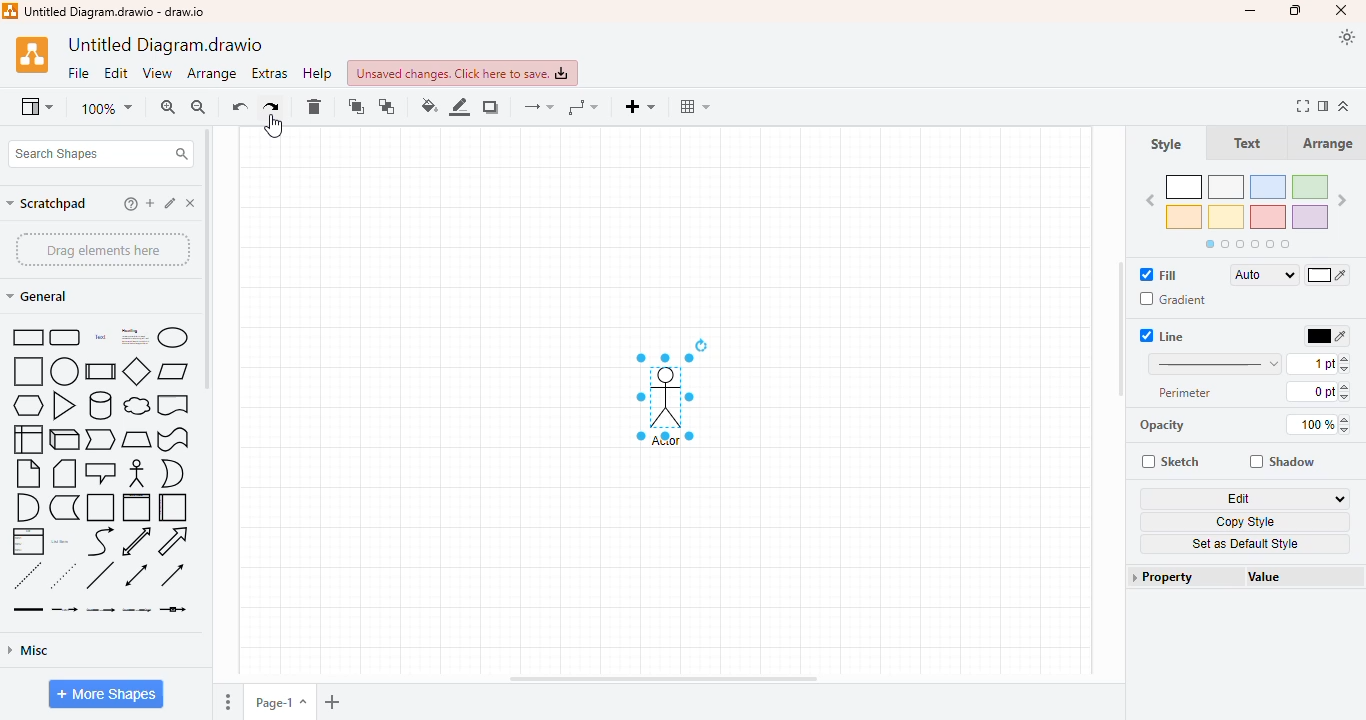 The image size is (1366, 720). What do you see at coordinates (1326, 336) in the screenshot?
I see `color` at bounding box center [1326, 336].